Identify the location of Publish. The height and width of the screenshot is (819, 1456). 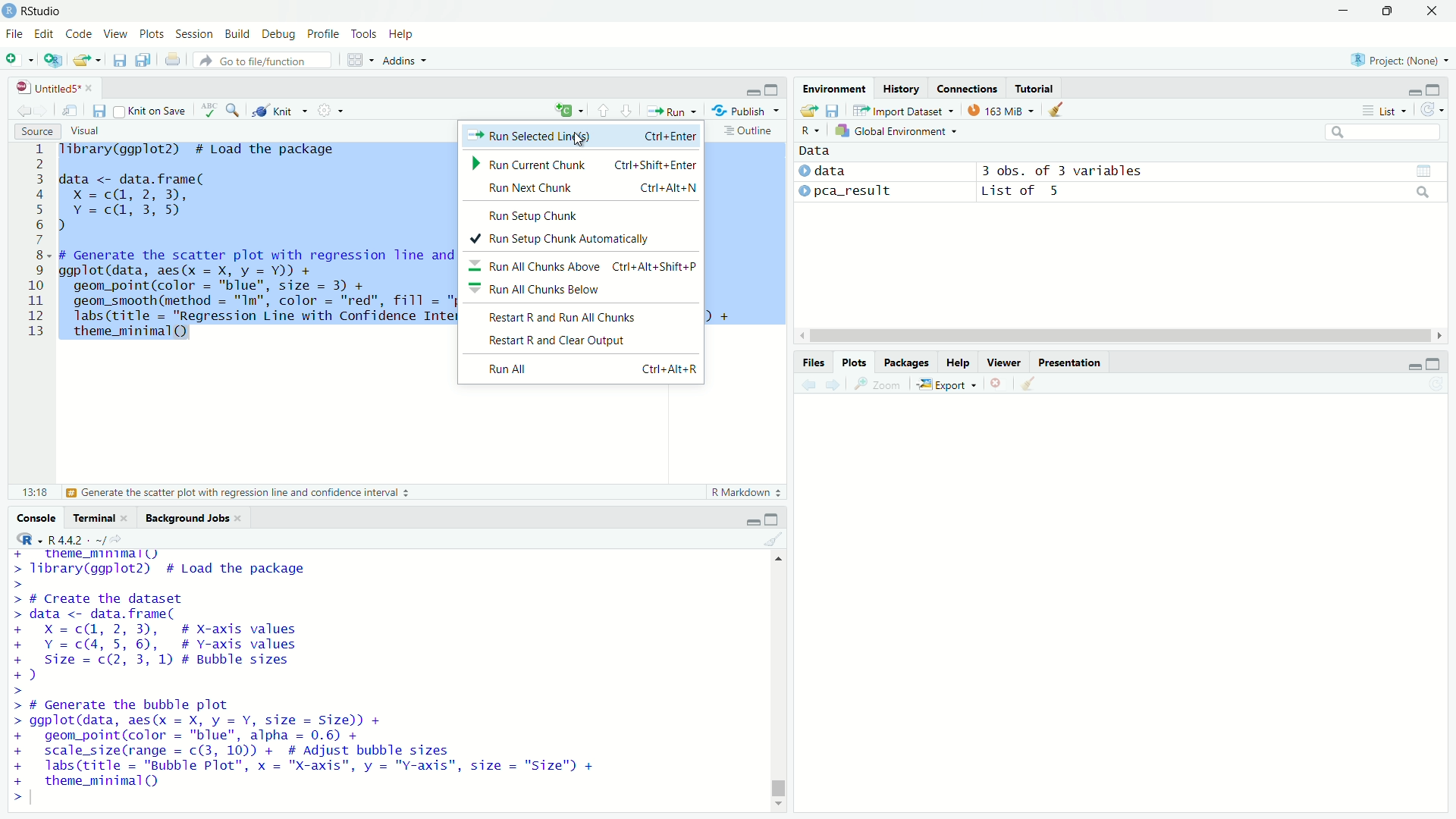
(747, 109).